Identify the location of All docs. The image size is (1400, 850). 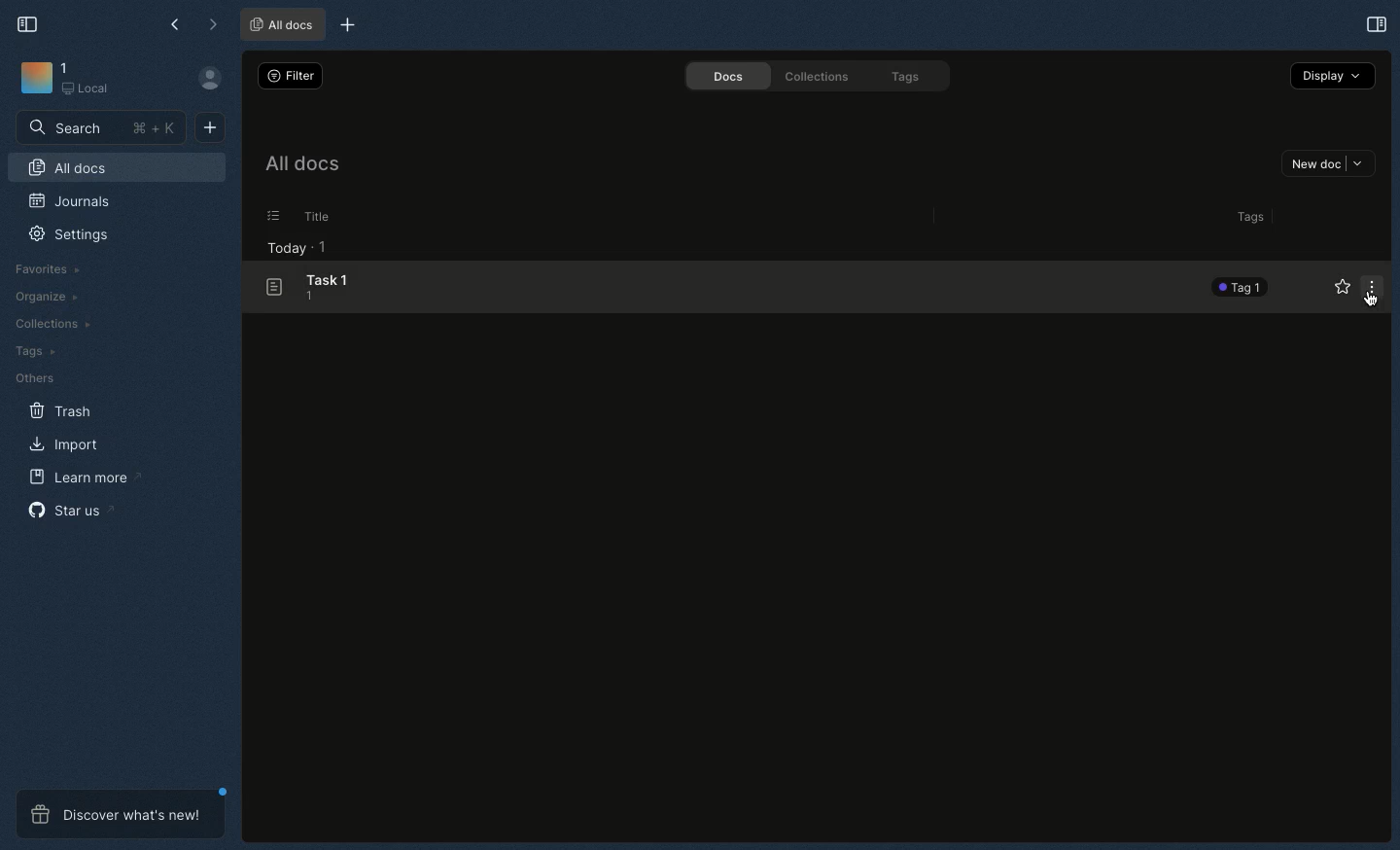
(278, 26).